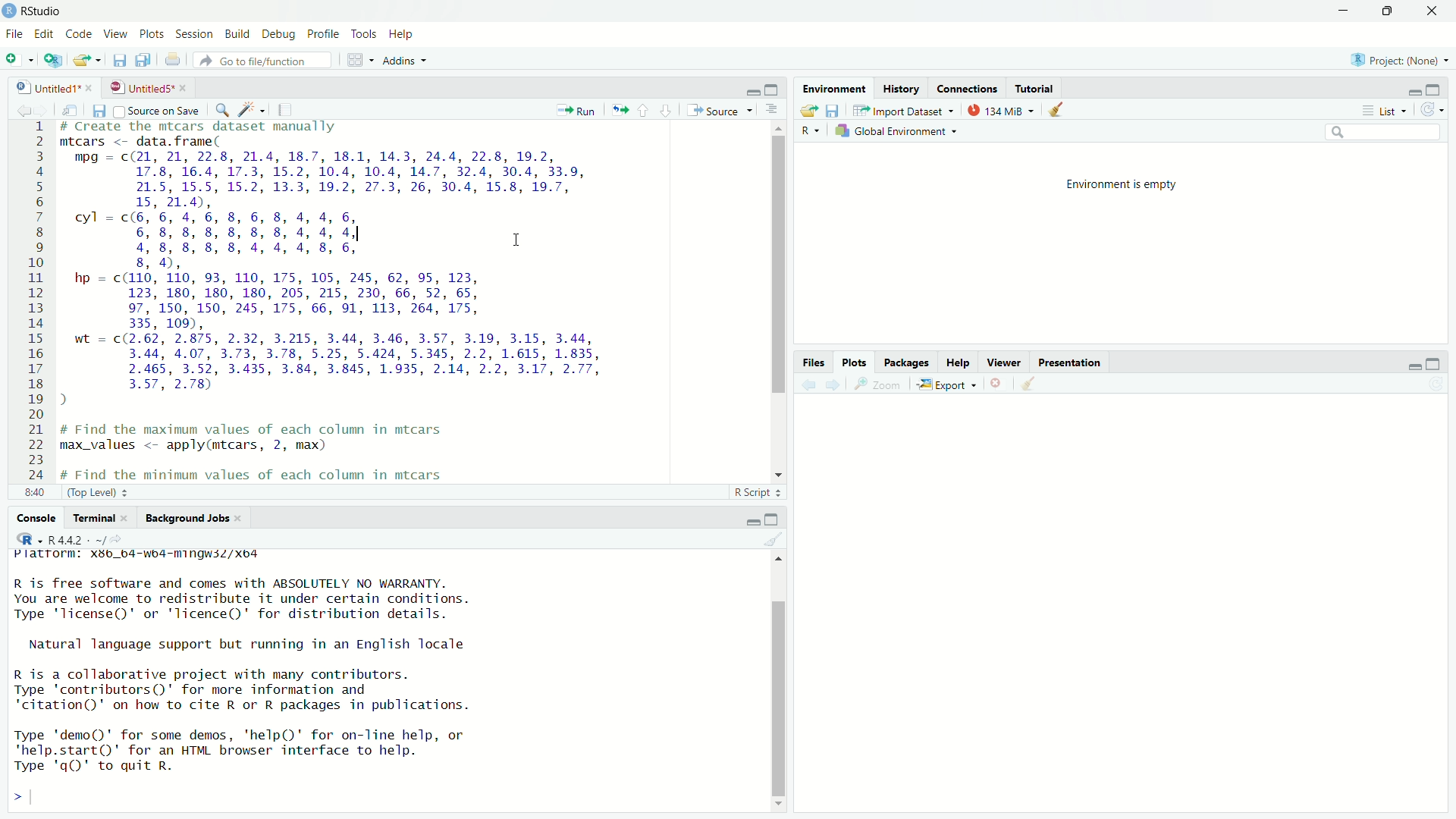  What do you see at coordinates (406, 33) in the screenshot?
I see `Help` at bounding box center [406, 33].